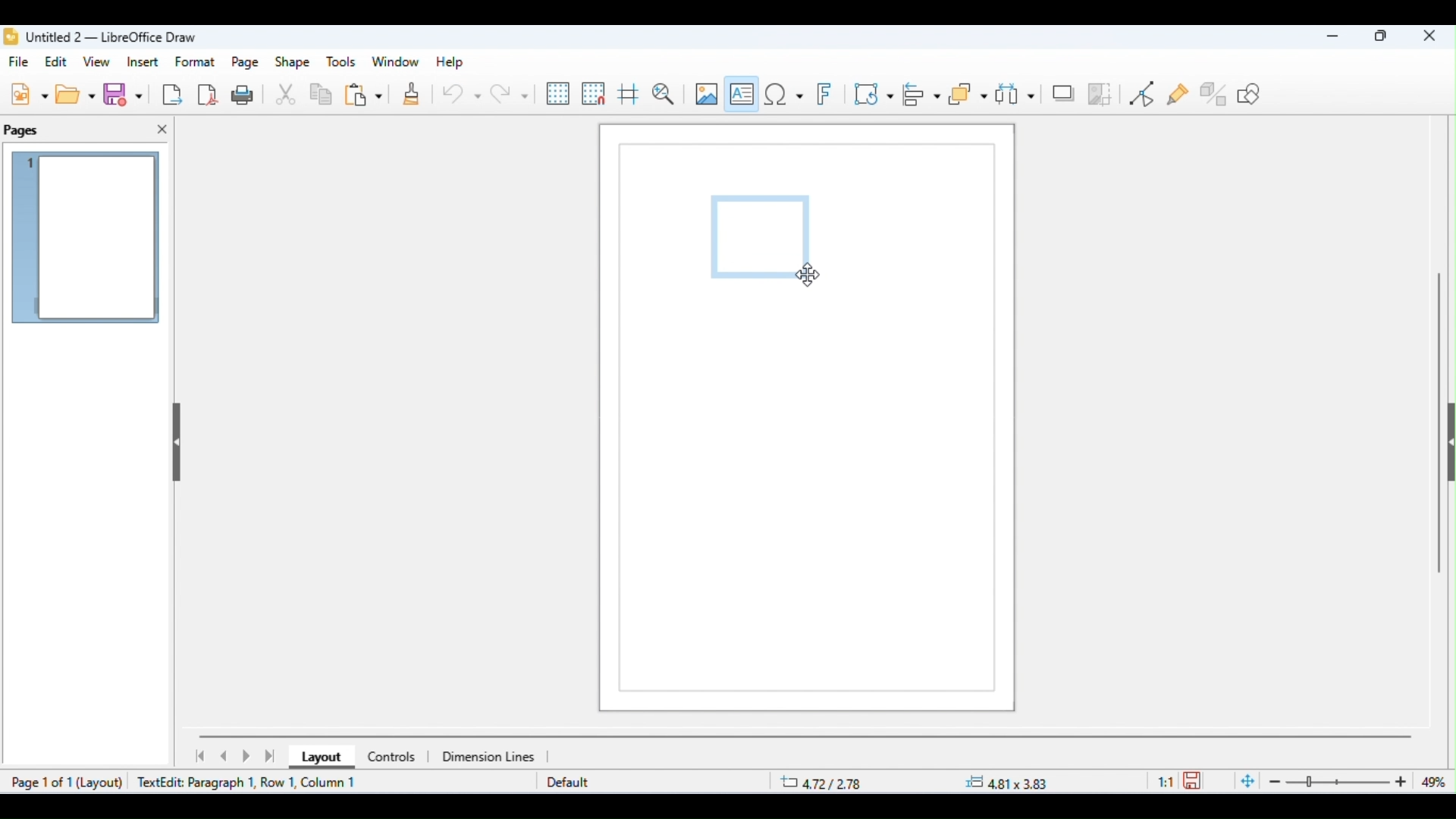 The width and height of the screenshot is (1456, 819). Describe the element at coordinates (409, 96) in the screenshot. I see `clone` at that location.